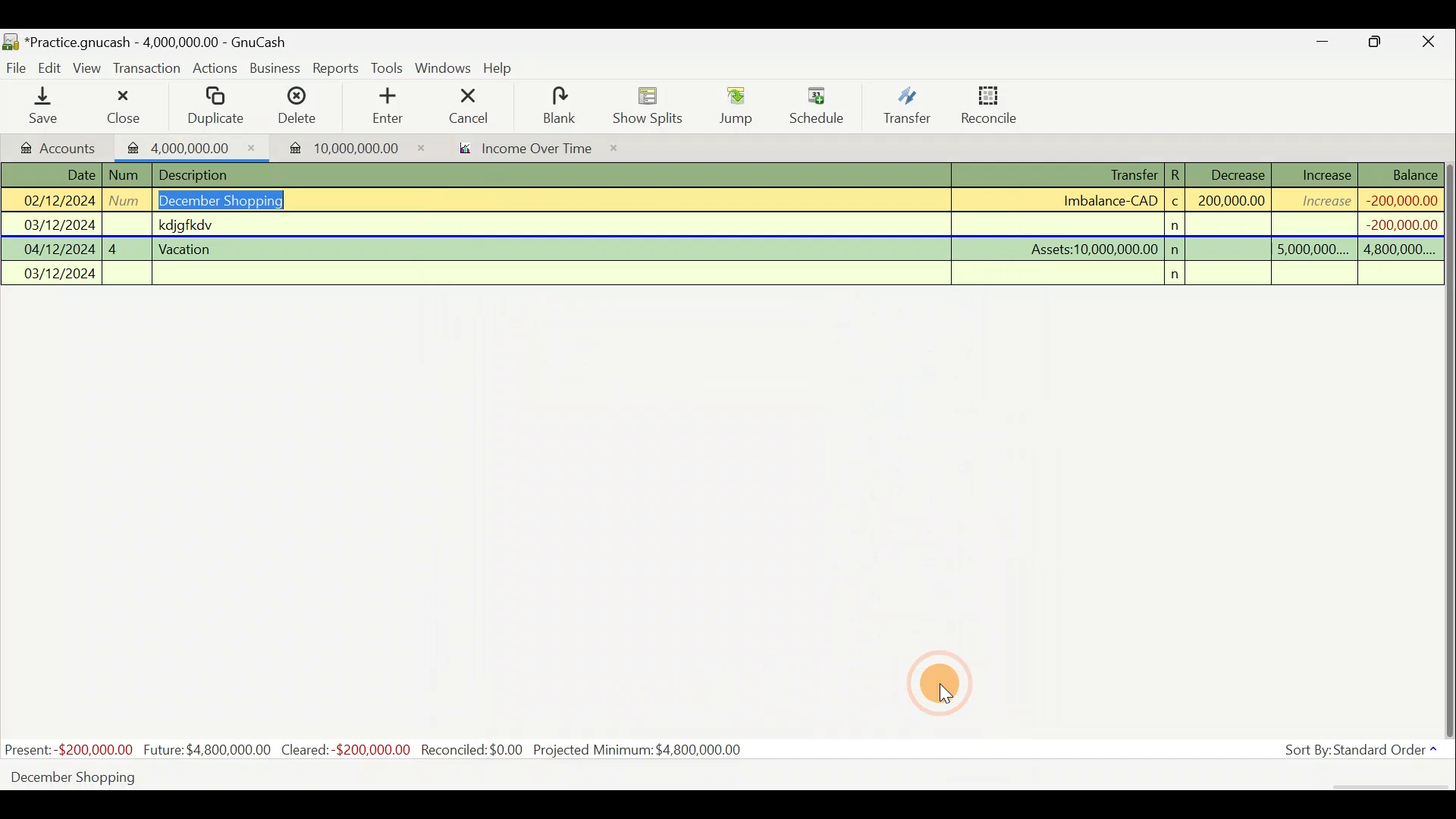 This screenshot has width=1456, height=819. I want to click on Help, so click(504, 68).